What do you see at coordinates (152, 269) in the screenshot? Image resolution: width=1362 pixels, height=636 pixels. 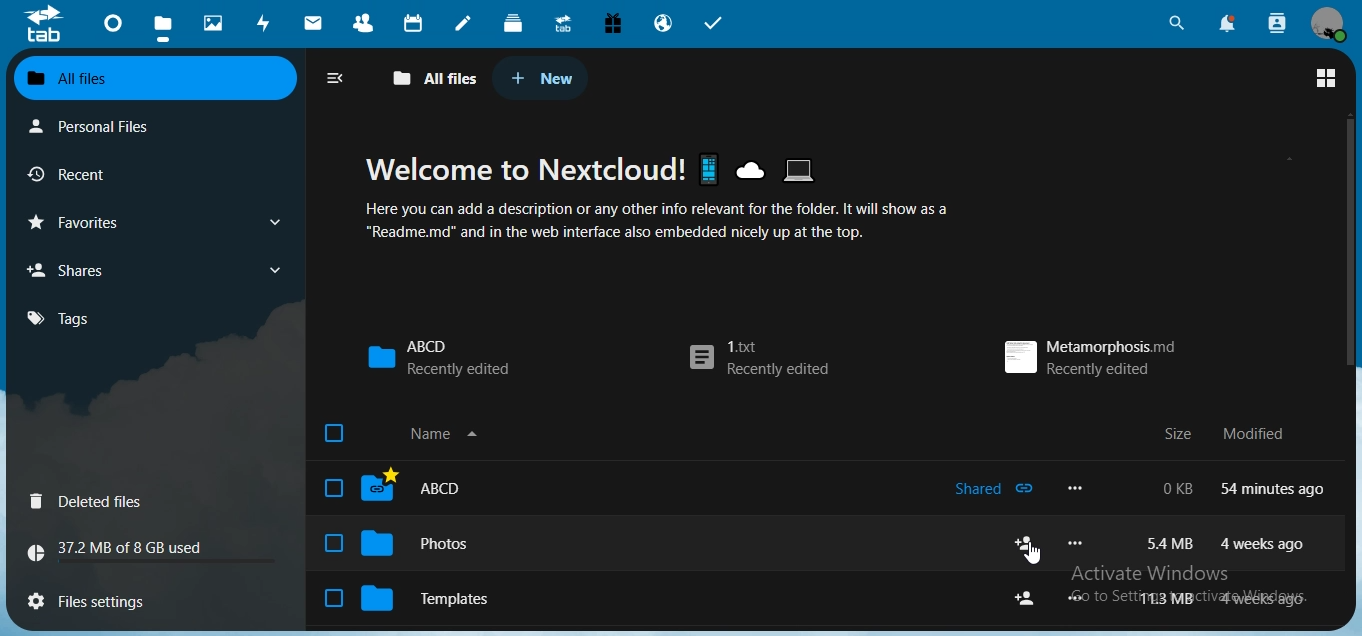 I see `shares` at bounding box center [152, 269].